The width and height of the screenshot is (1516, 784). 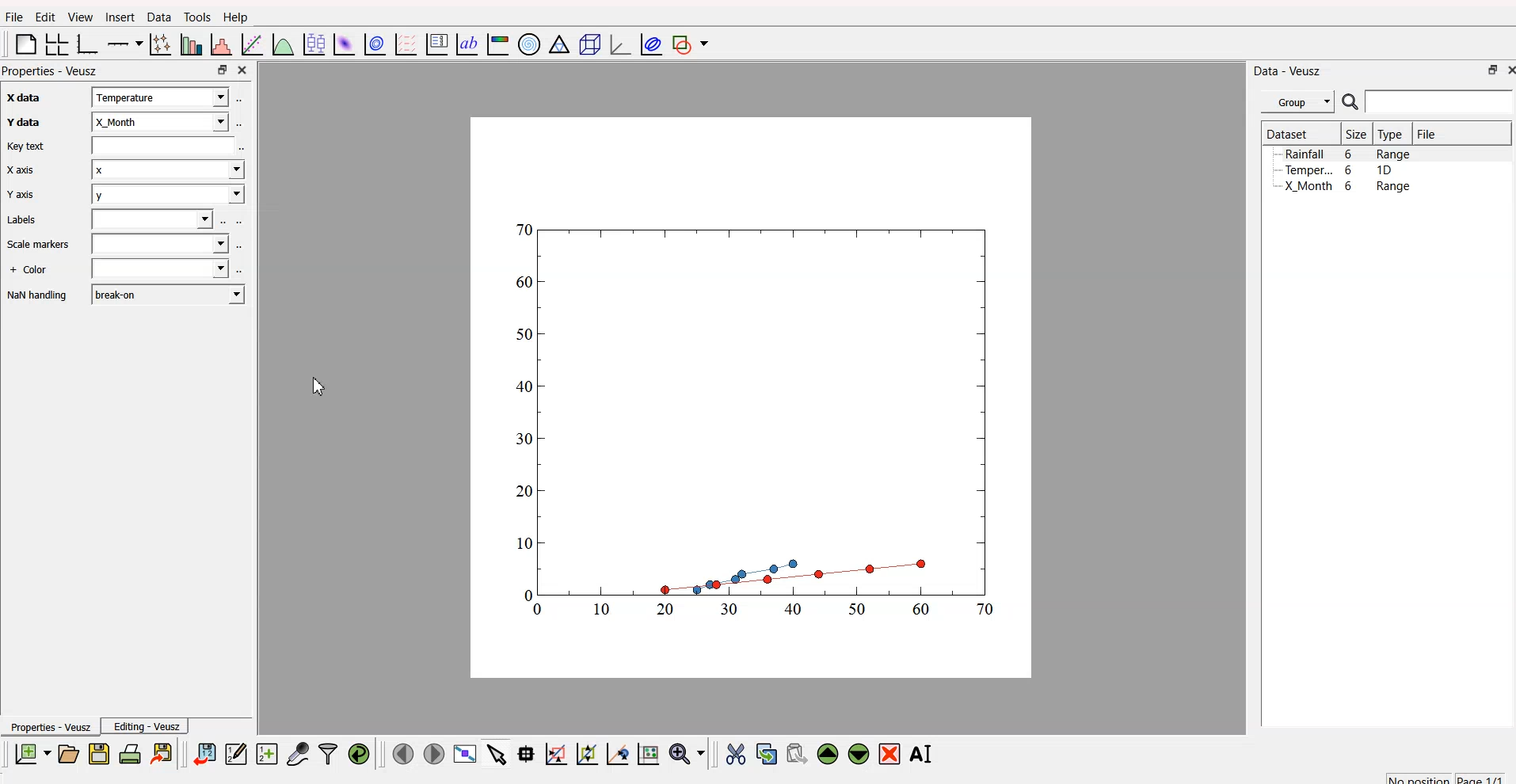 What do you see at coordinates (1445, 775) in the screenshot?
I see `no position page 1/1` at bounding box center [1445, 775].